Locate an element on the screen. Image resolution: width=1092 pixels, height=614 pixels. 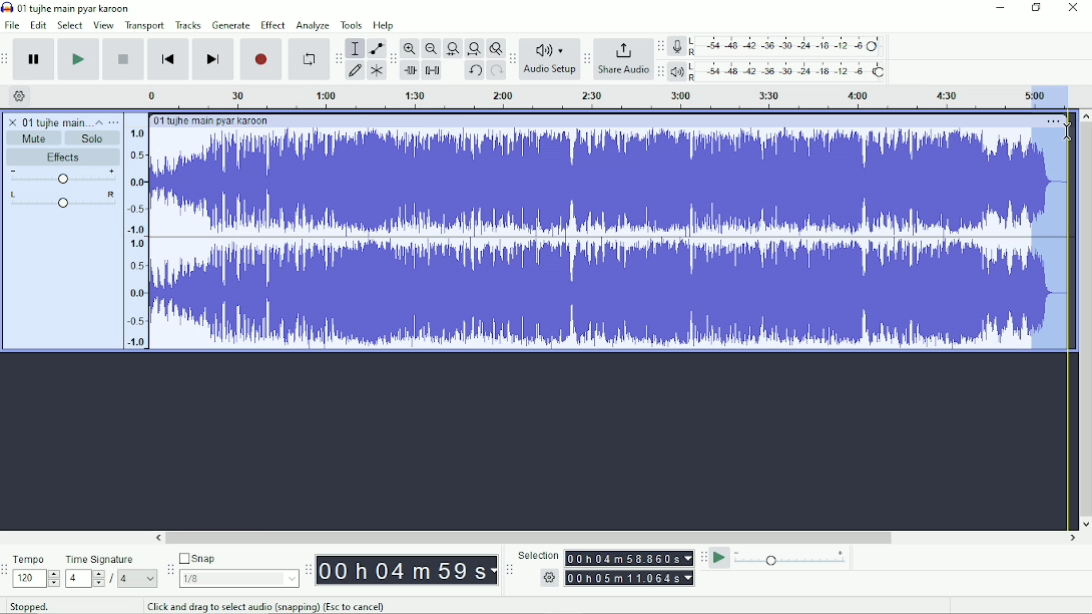
Snap is located at coordinates (239, 559).